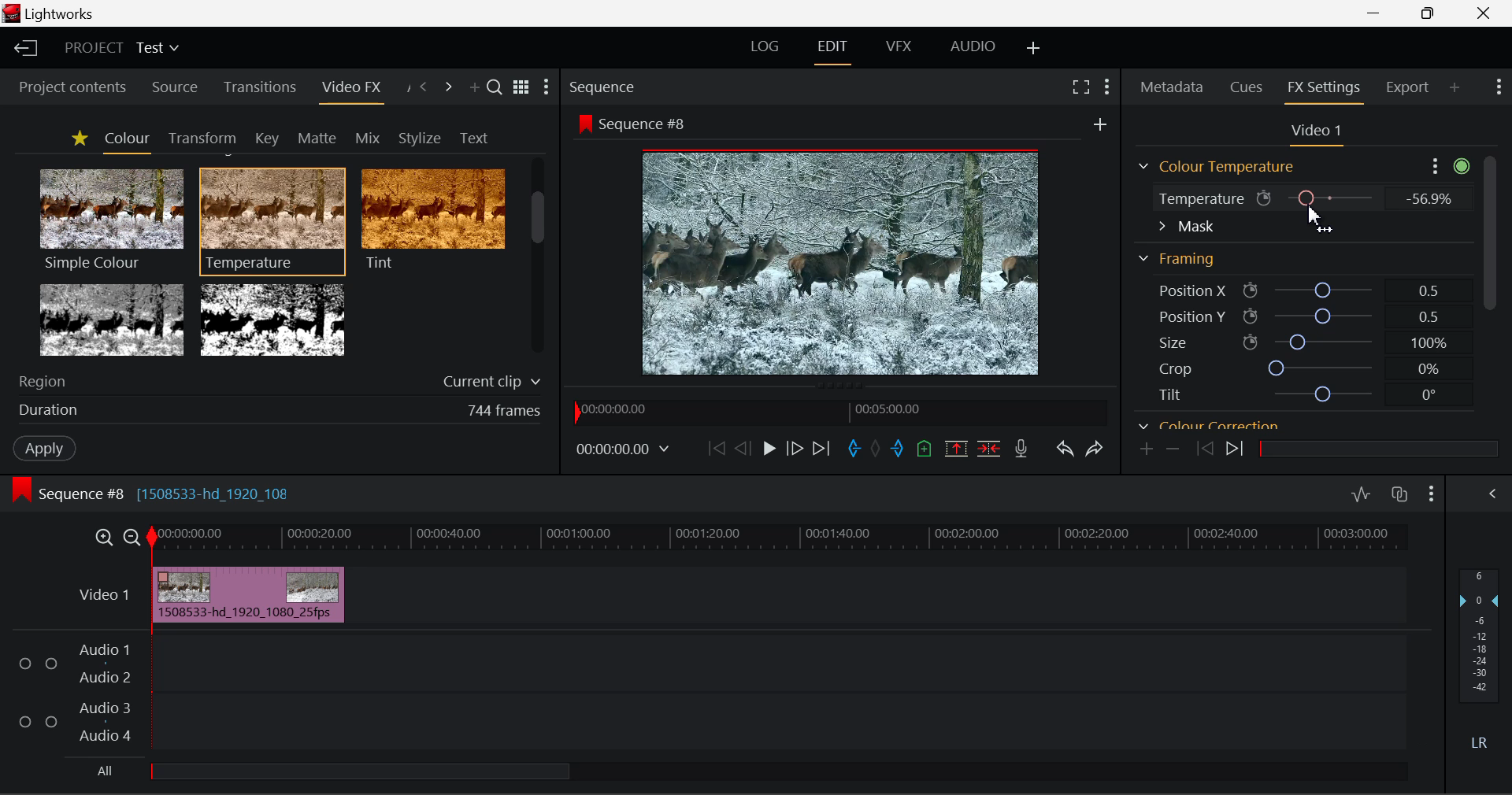  I want to click on Previous keyframe, so click(1200, 449).